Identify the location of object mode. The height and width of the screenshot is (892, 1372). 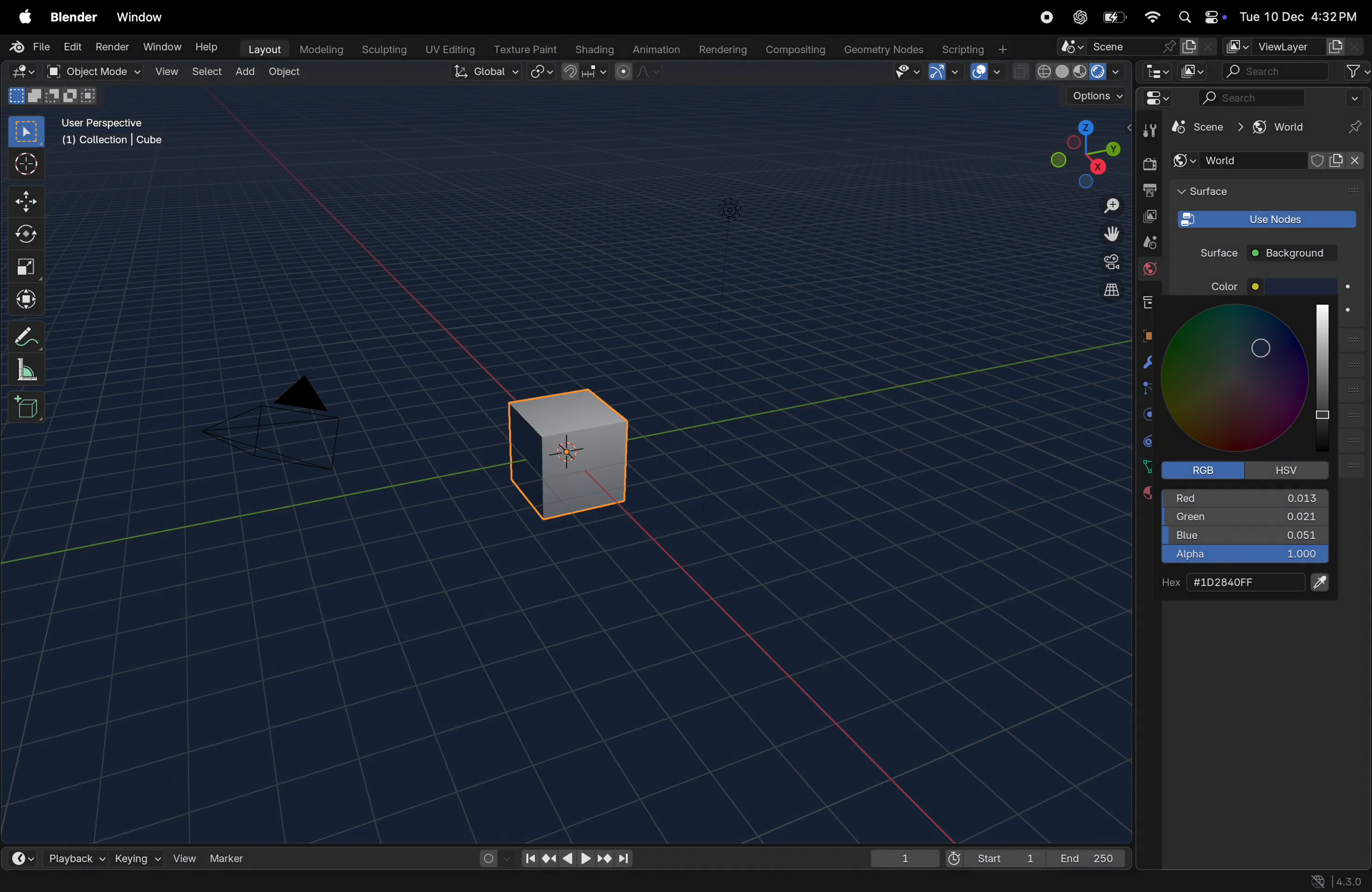
(91, 71).